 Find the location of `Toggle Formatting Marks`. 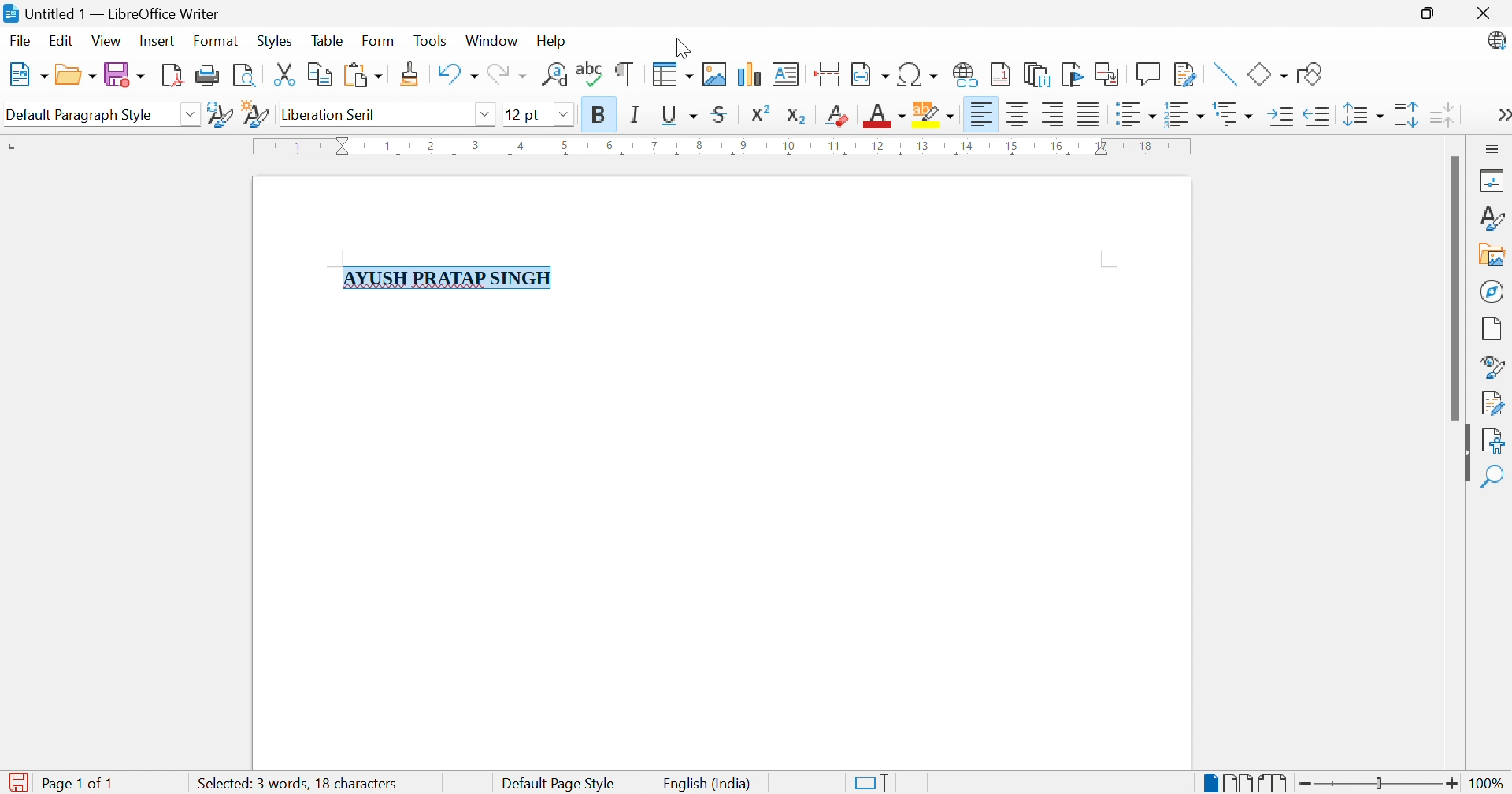

Toggle Formatting Marks is located at coordinates (625, 76).